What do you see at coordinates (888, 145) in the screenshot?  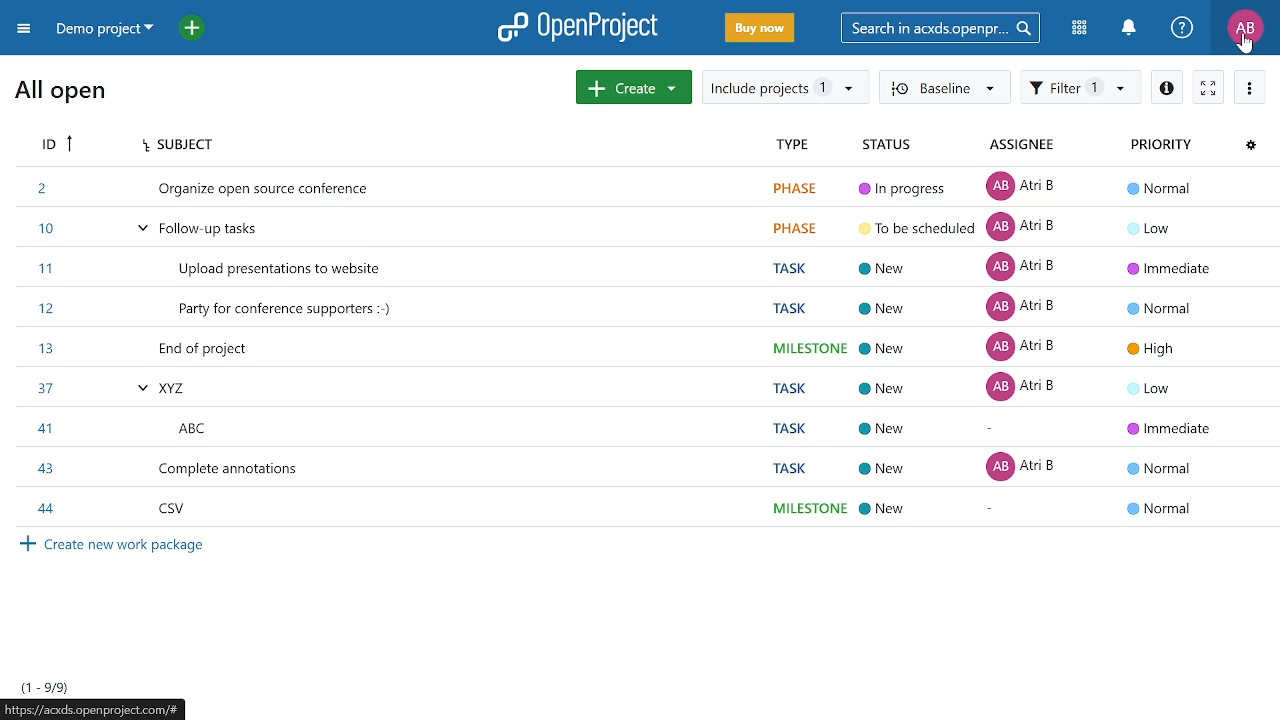 I see `Status` at bounding box center [888, 145].